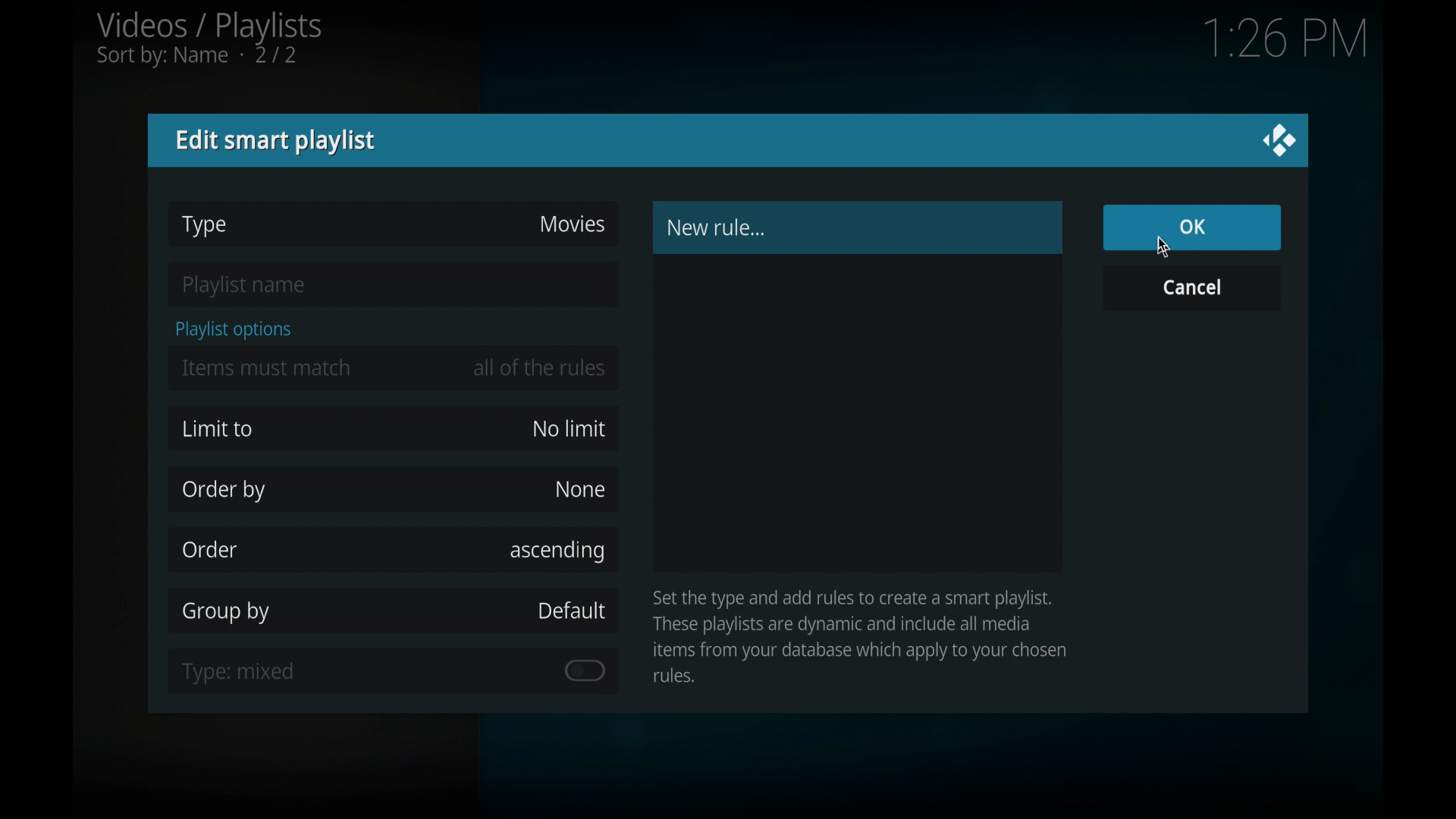 The width and height of the screenshot is (1456, 819). What do you see at coordinates (559, 550) in the screenshot?
I see `ascending` at bounding box center [559, 550].